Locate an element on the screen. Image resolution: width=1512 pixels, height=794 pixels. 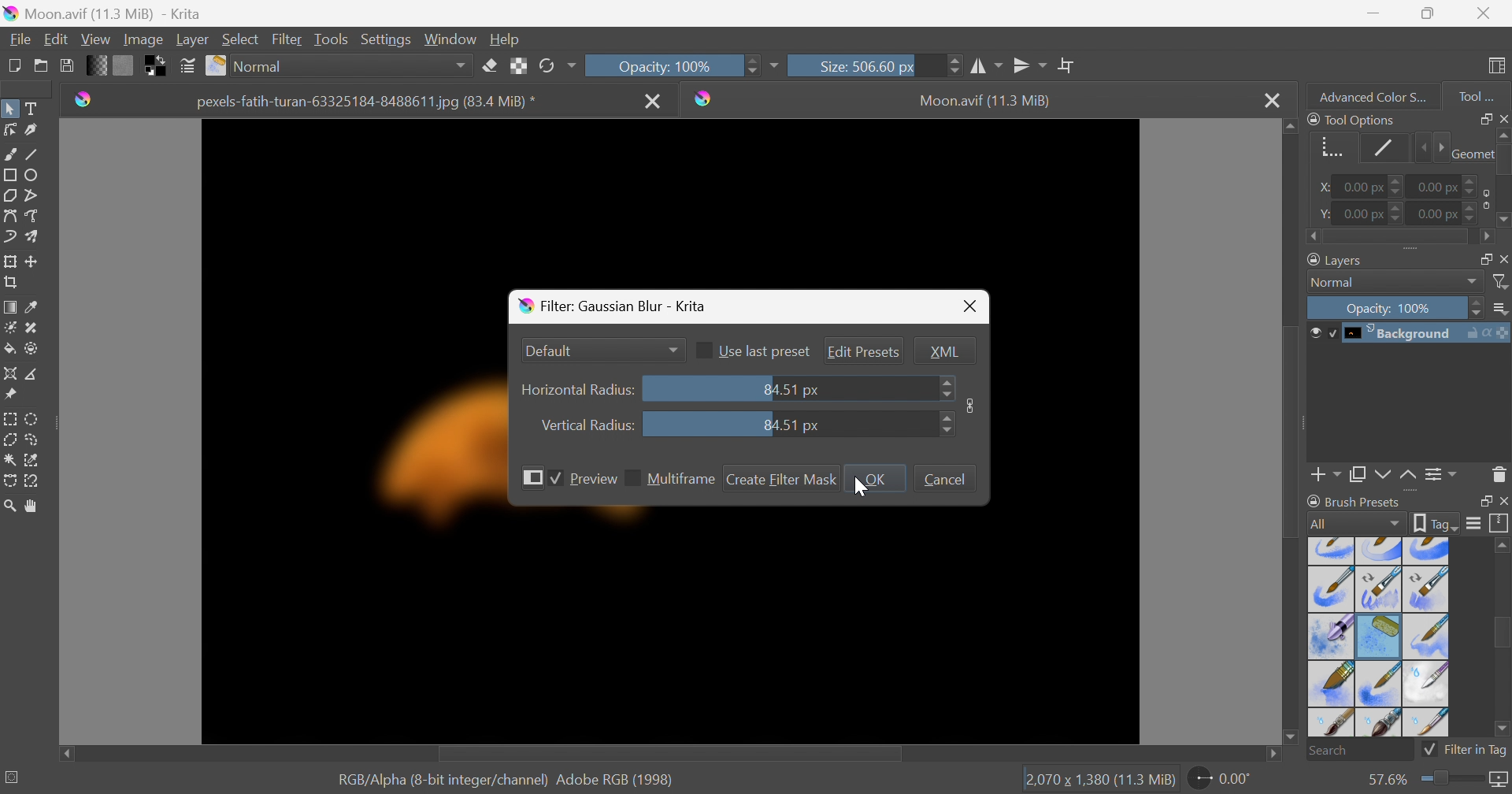
Set eraser mode is located at coordinates (491, 65).